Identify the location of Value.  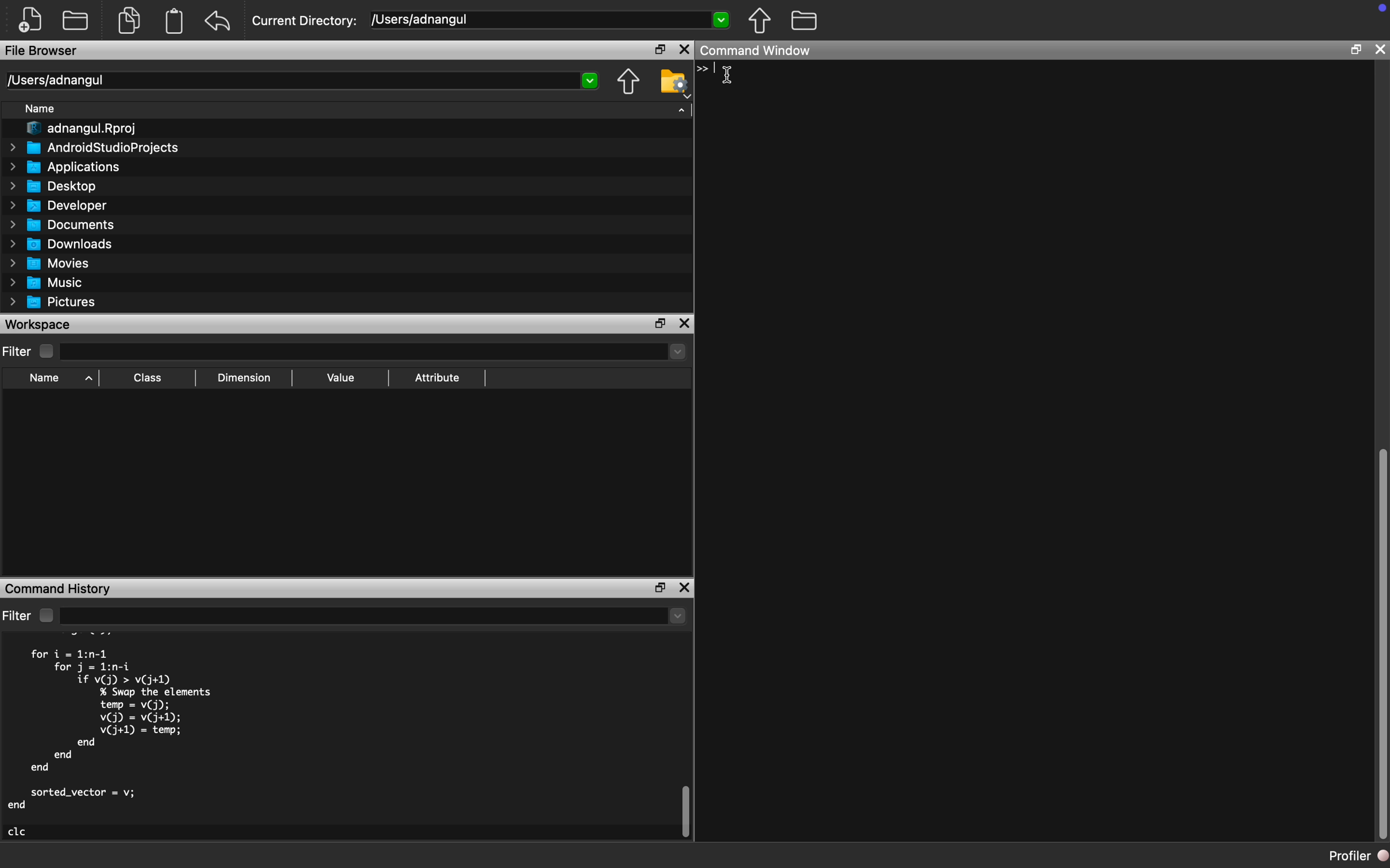
(339, 378).